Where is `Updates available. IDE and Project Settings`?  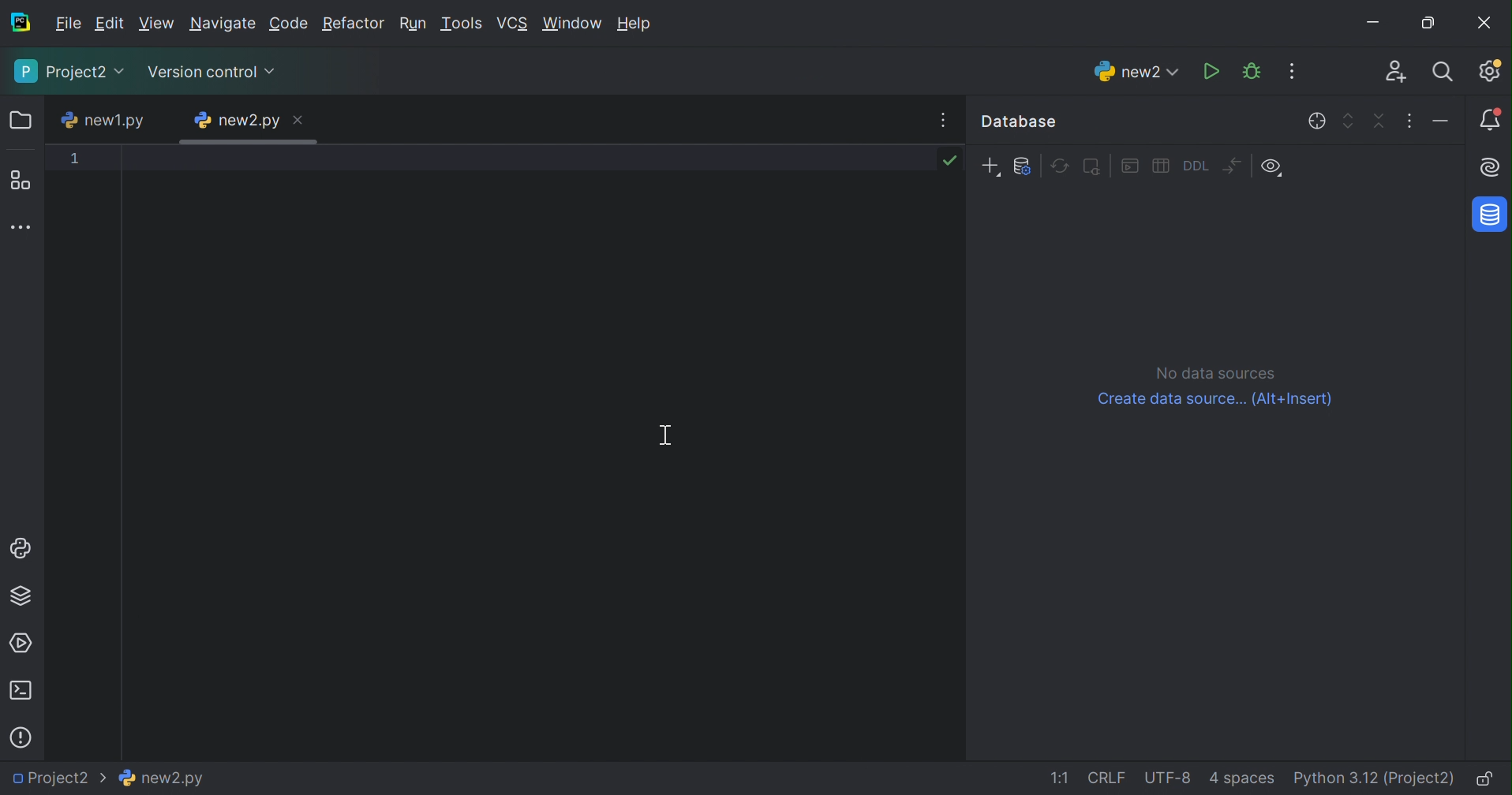 Updates available. IDE and Project Settings is located at coordinates (1491, 70).